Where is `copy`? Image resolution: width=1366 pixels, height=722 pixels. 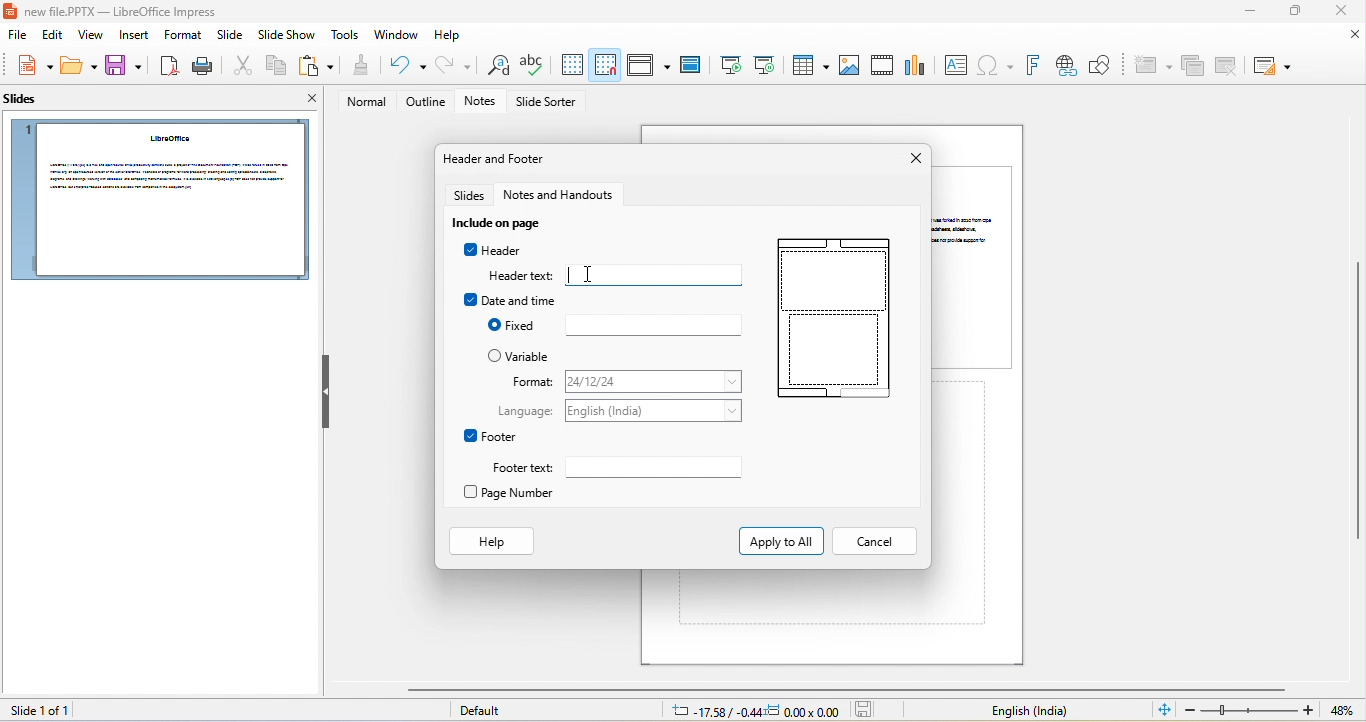
copy is located at coordinates (273, 67).